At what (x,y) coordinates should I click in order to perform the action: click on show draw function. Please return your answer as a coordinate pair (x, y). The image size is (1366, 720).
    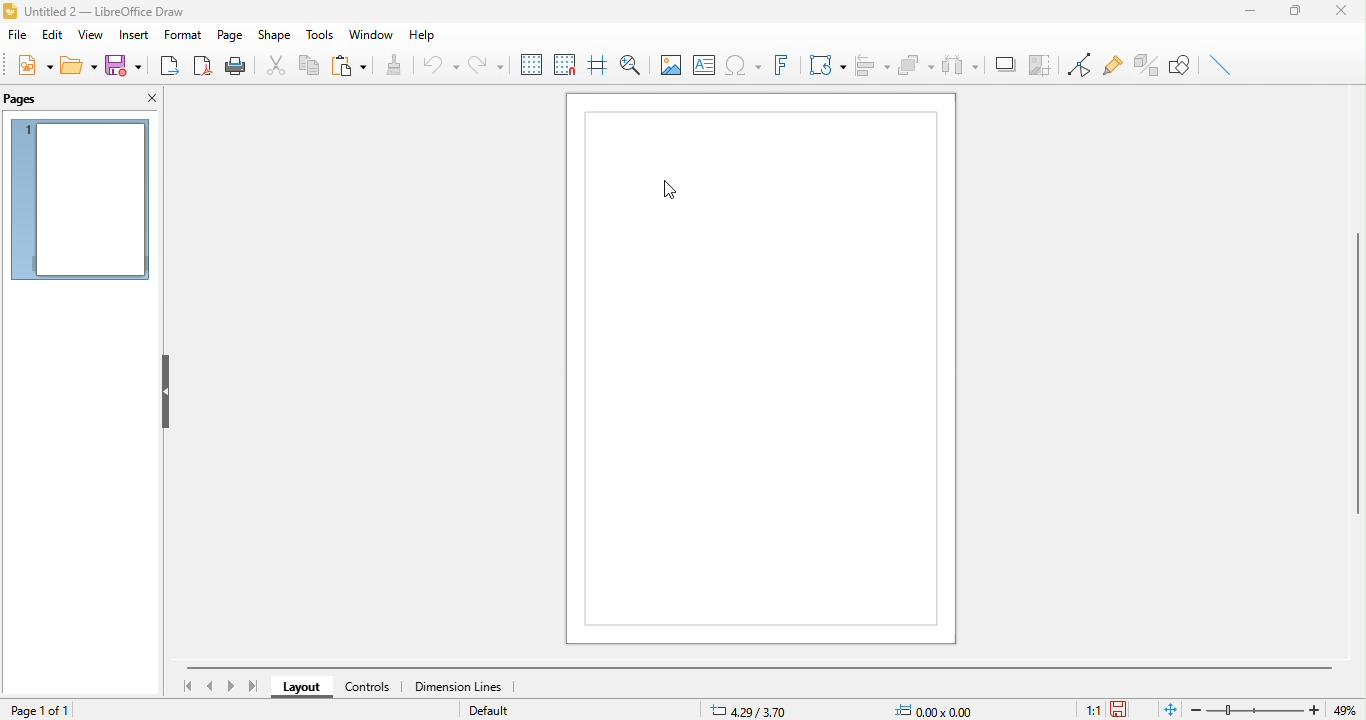
    Looking at the image, I should click on (1184, 64).